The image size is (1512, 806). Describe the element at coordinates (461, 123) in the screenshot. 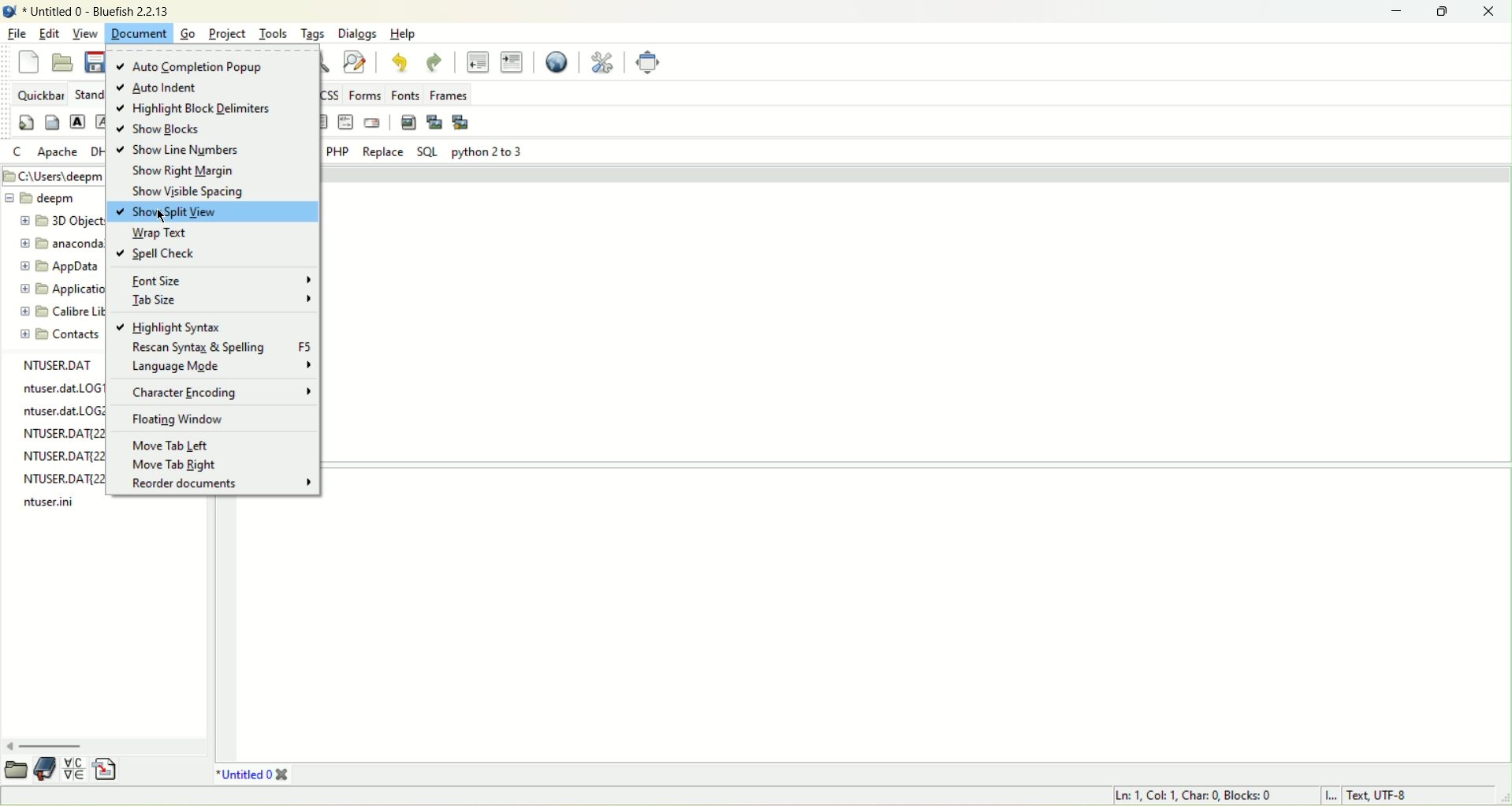

I see `multi plugin` at that location.